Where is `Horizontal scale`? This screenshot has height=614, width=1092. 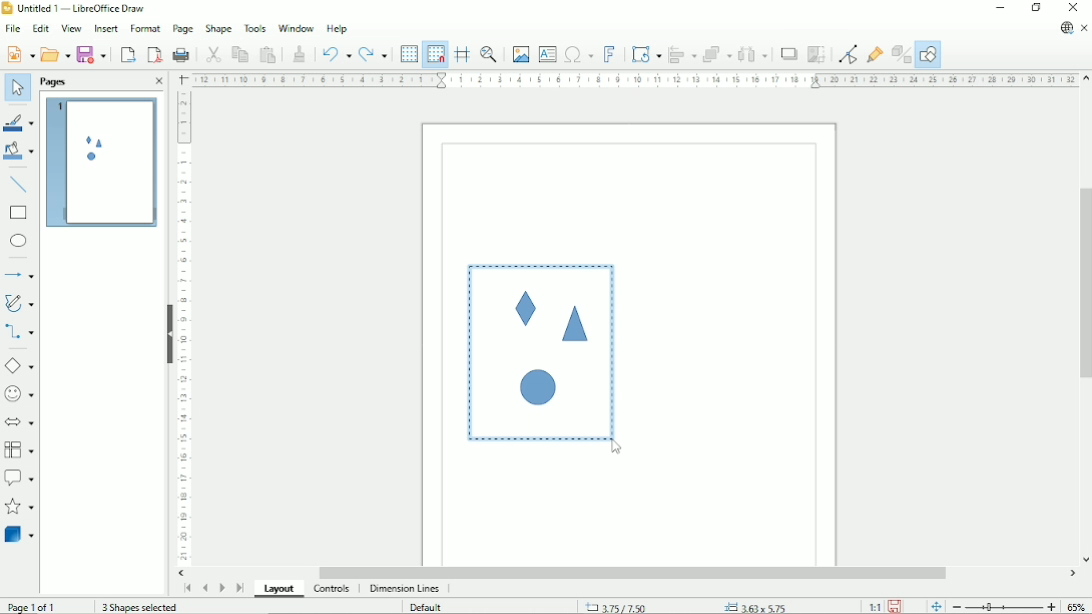 Horizontal scale is located at coordinates (634, 80).